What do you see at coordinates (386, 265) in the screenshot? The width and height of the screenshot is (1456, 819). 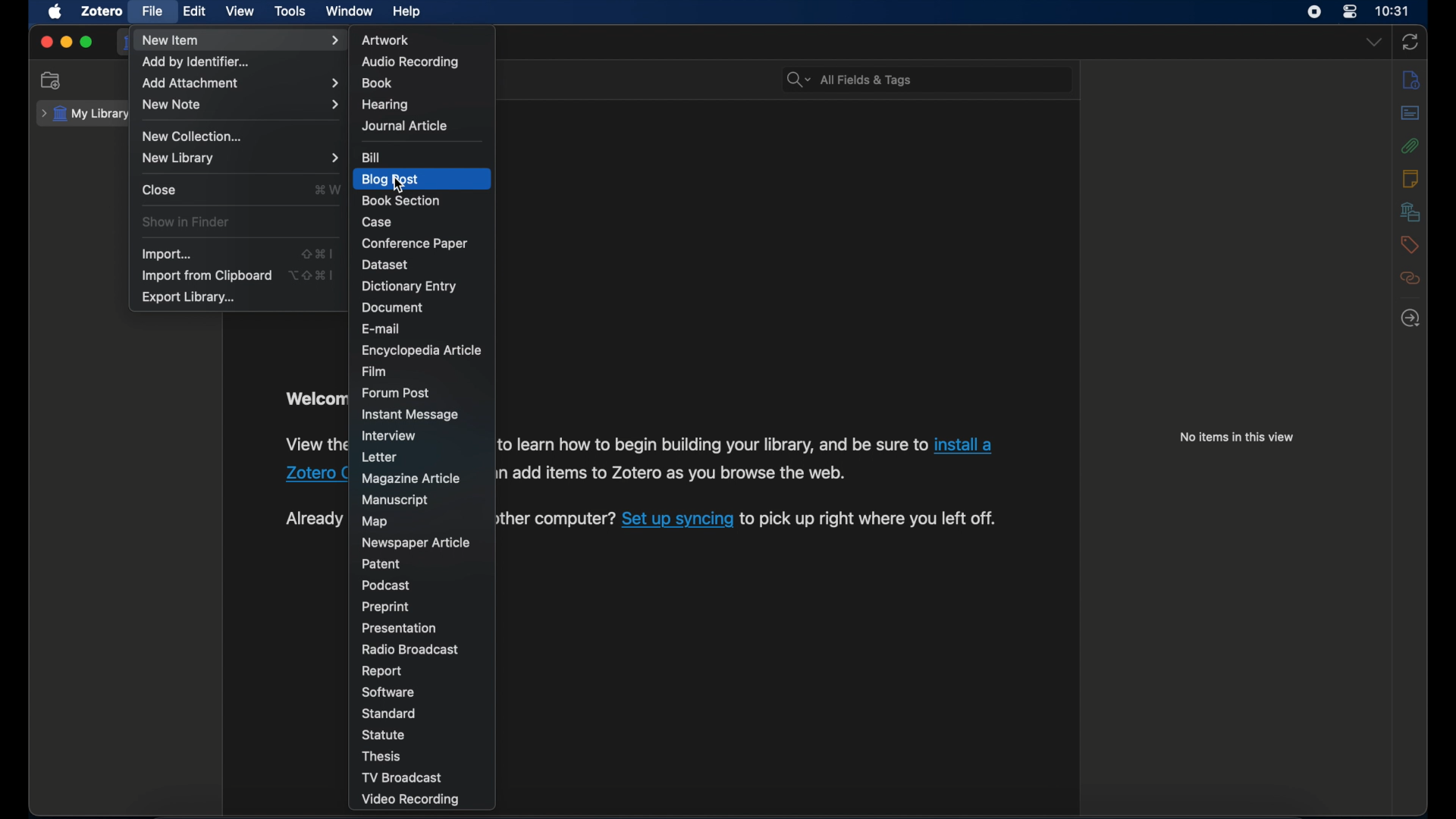 I see `dataset` at bounding box center [386, 265].